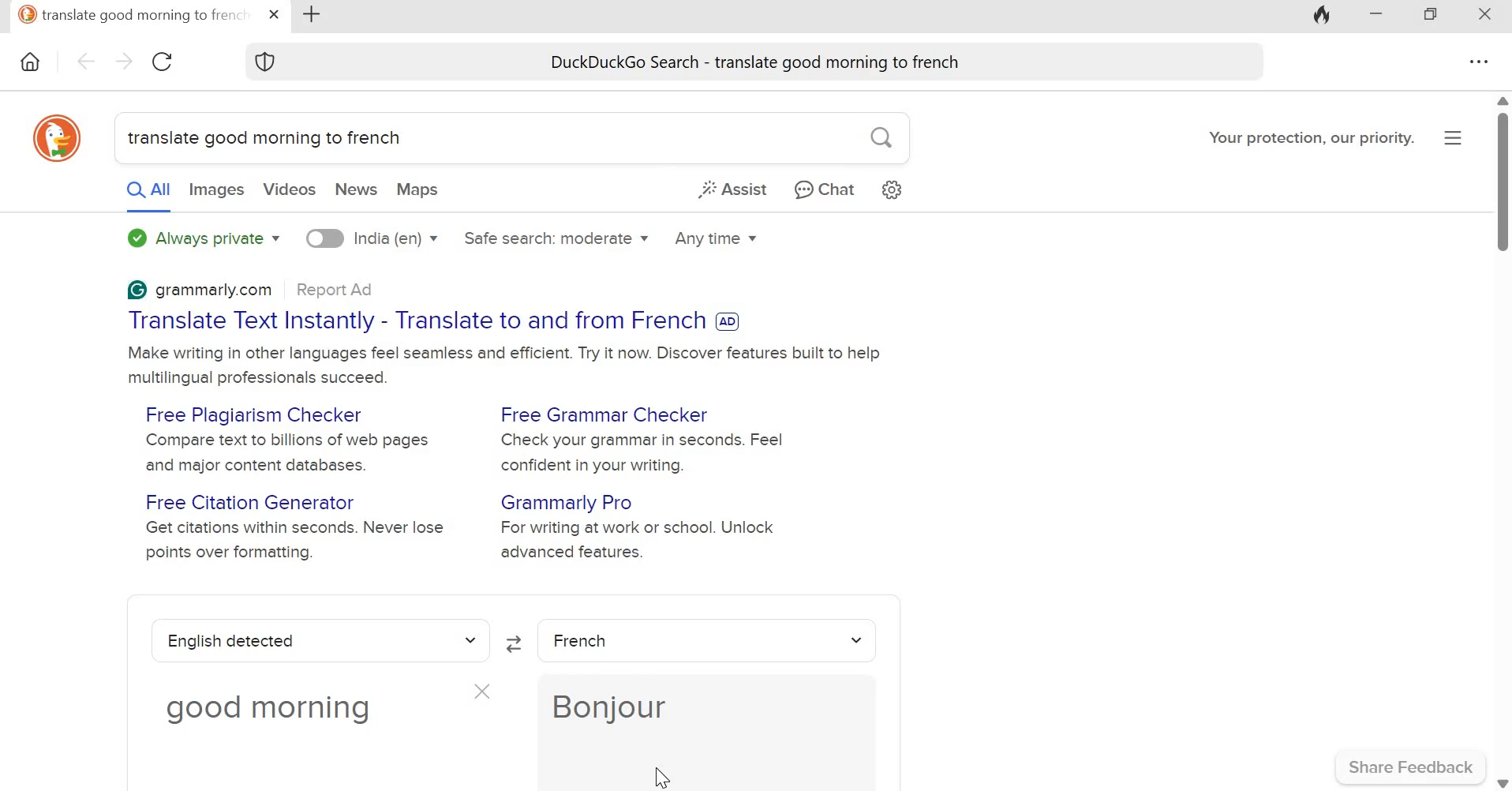  I want to click on Go forward one page, so click(122, 63).